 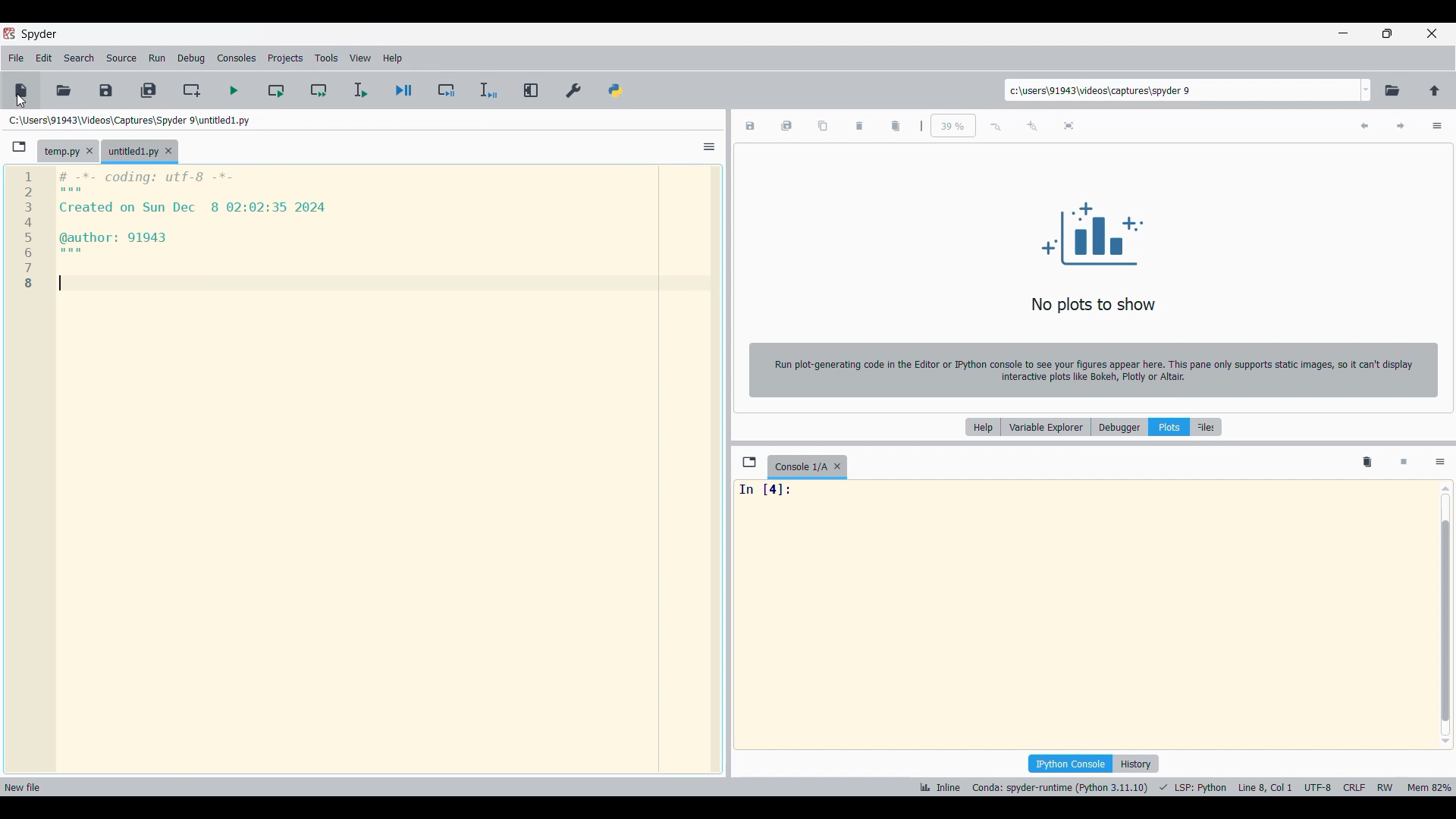 I want to click on Close, so click(x=89, y=151).